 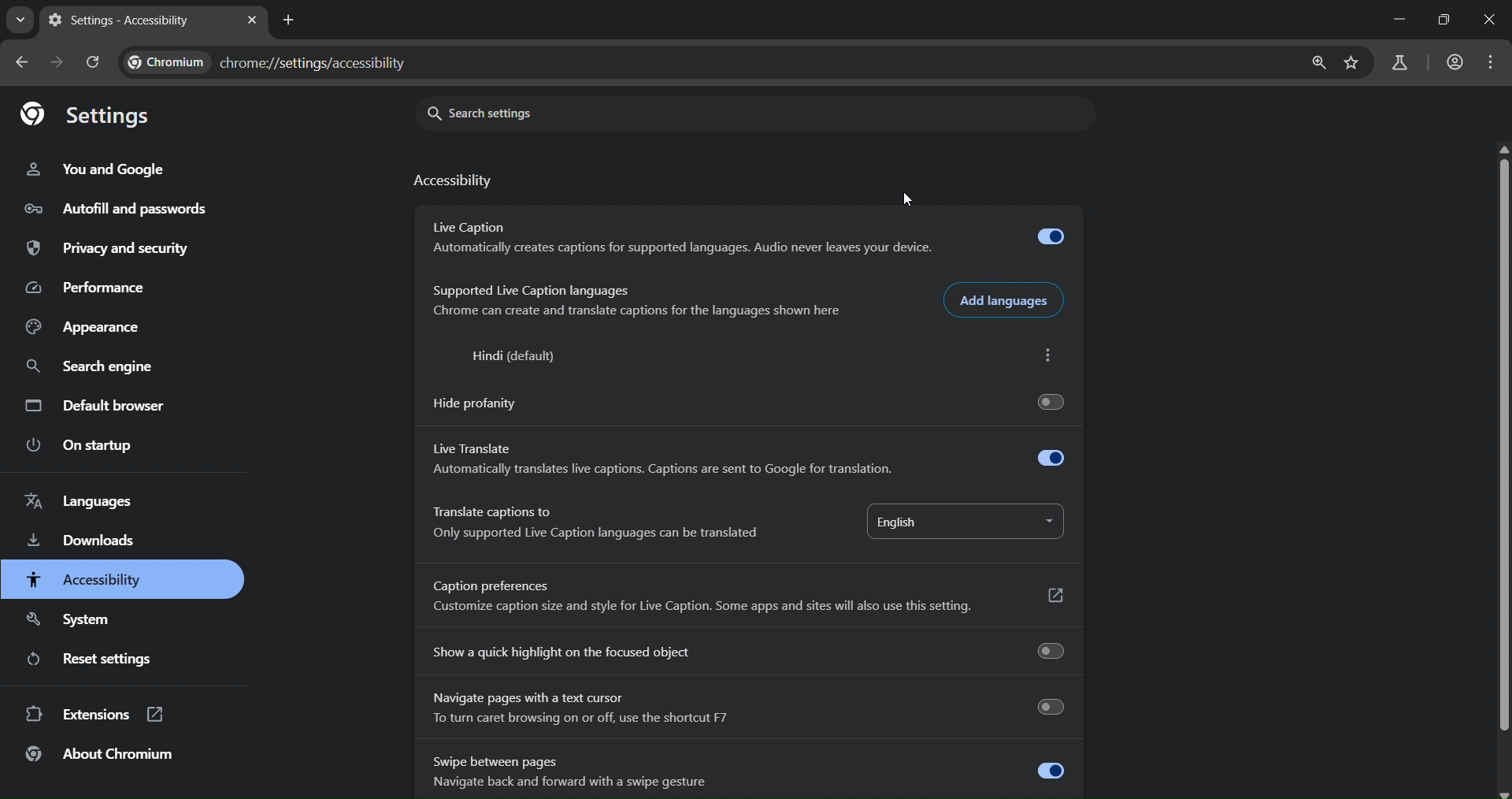 What do you see at coordinates (88, 578) in the screenshot?
I see `accessibility` at bounding box center [88, 578].